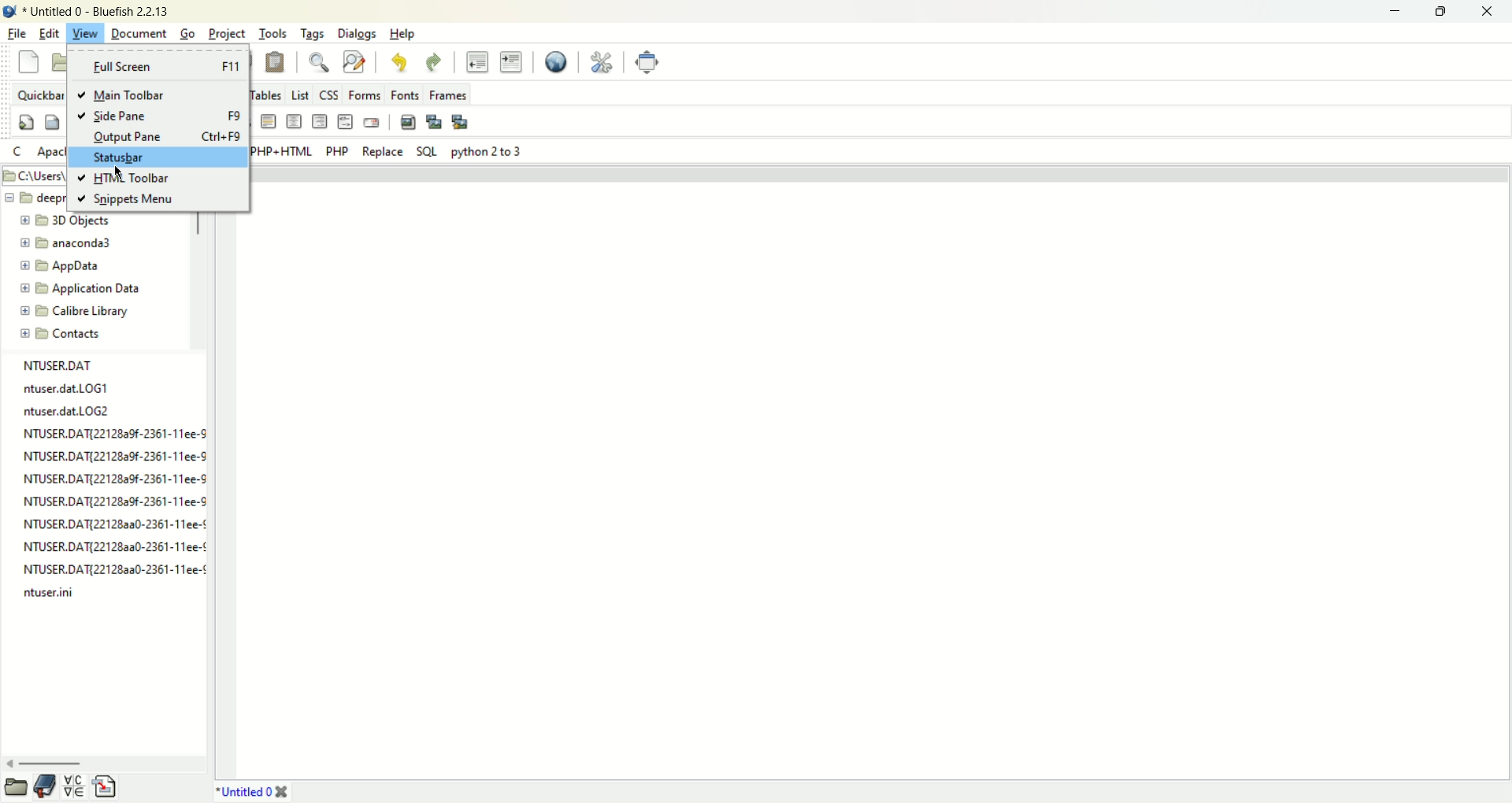 This screenshot has width=1512, height=803. What do you see at coordinates (318, 61) in the screenshot?
I see `find` at bounding box center [318, 61].